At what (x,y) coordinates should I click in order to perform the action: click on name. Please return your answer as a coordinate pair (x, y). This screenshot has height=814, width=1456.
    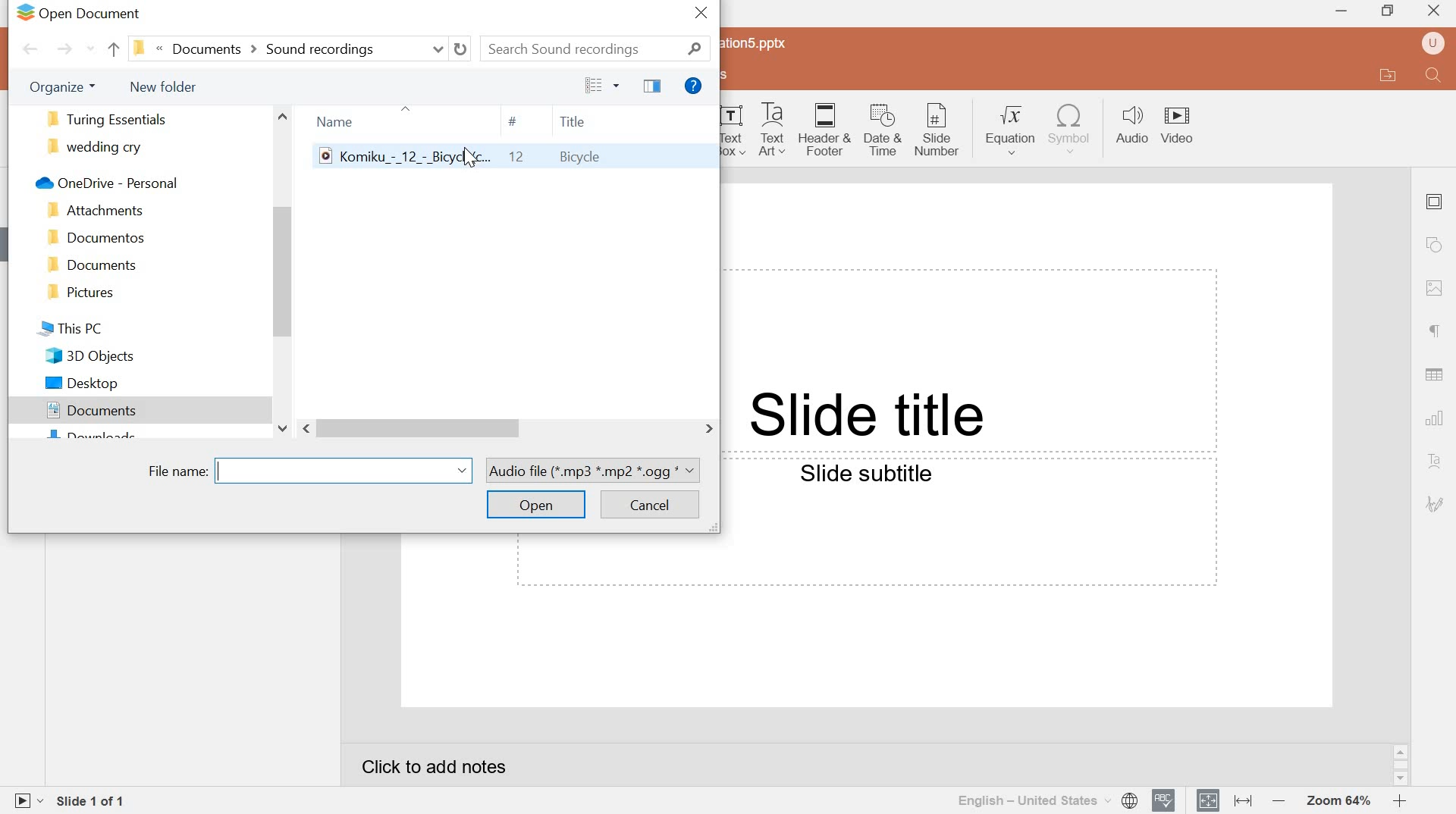
    Looking at the image, I should click on (335, 121).